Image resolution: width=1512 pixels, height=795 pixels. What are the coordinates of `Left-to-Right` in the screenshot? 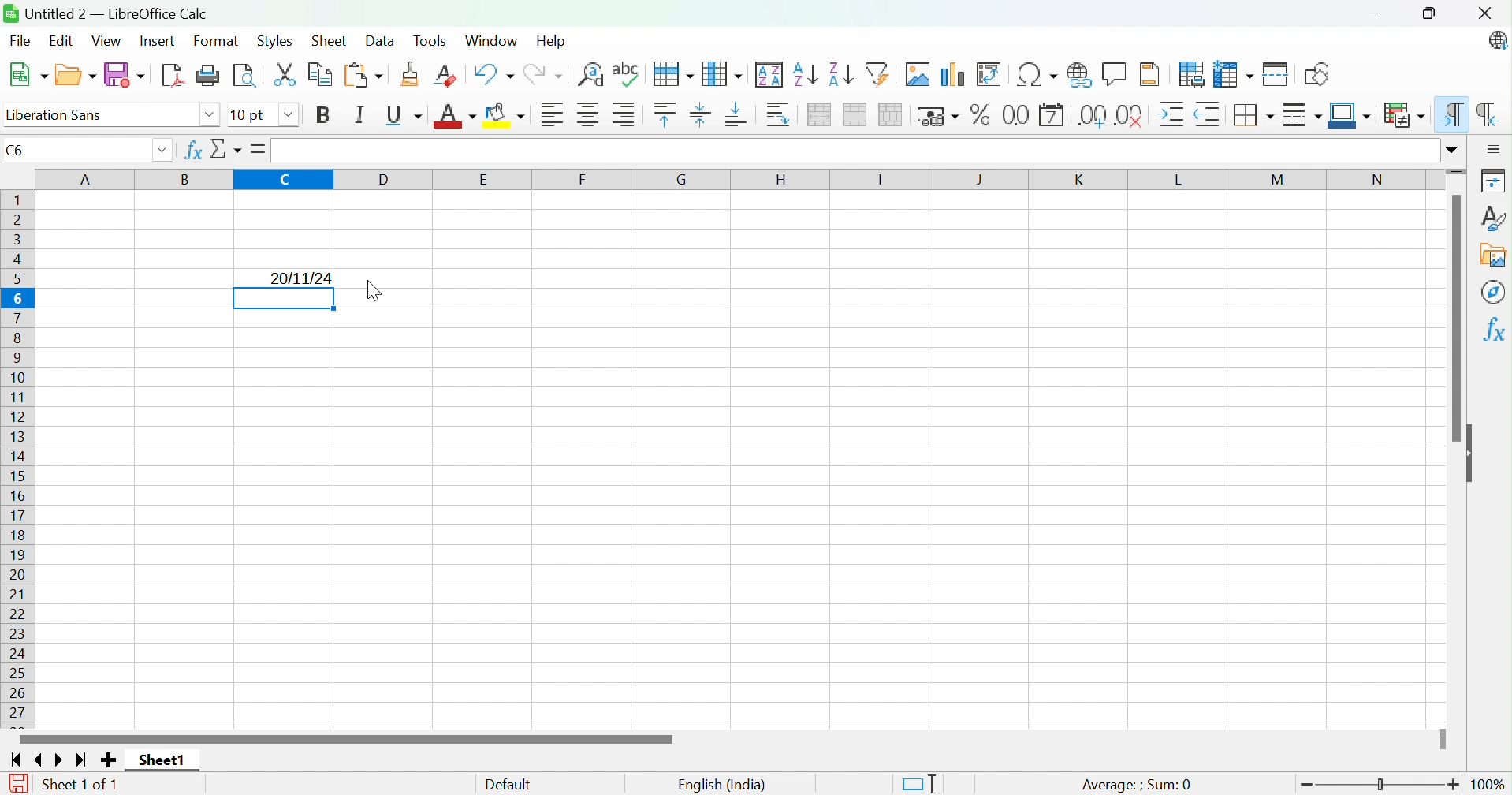 It's located at (1453, 115).